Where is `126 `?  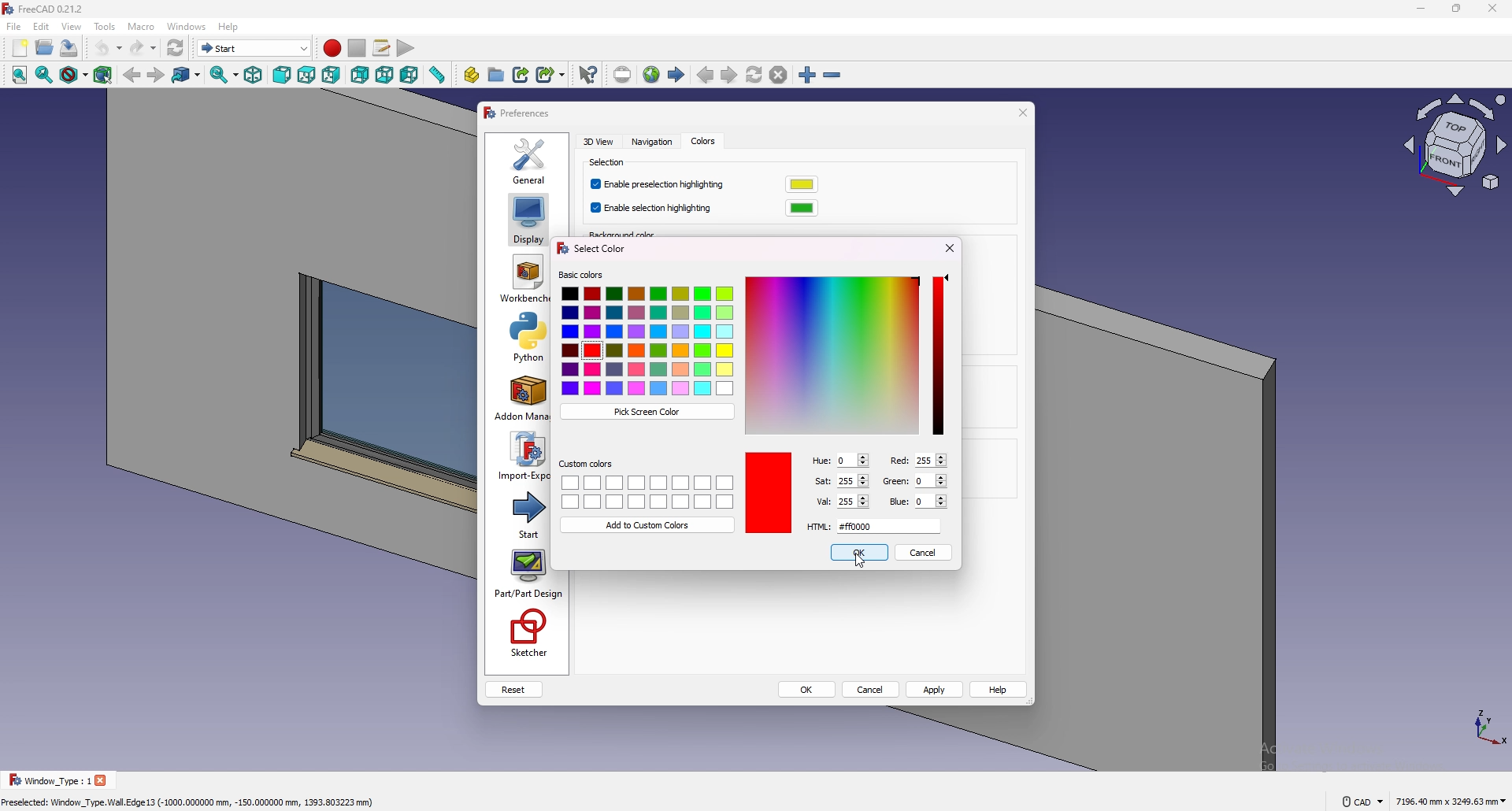
126  is located at coordinates (852, 480).